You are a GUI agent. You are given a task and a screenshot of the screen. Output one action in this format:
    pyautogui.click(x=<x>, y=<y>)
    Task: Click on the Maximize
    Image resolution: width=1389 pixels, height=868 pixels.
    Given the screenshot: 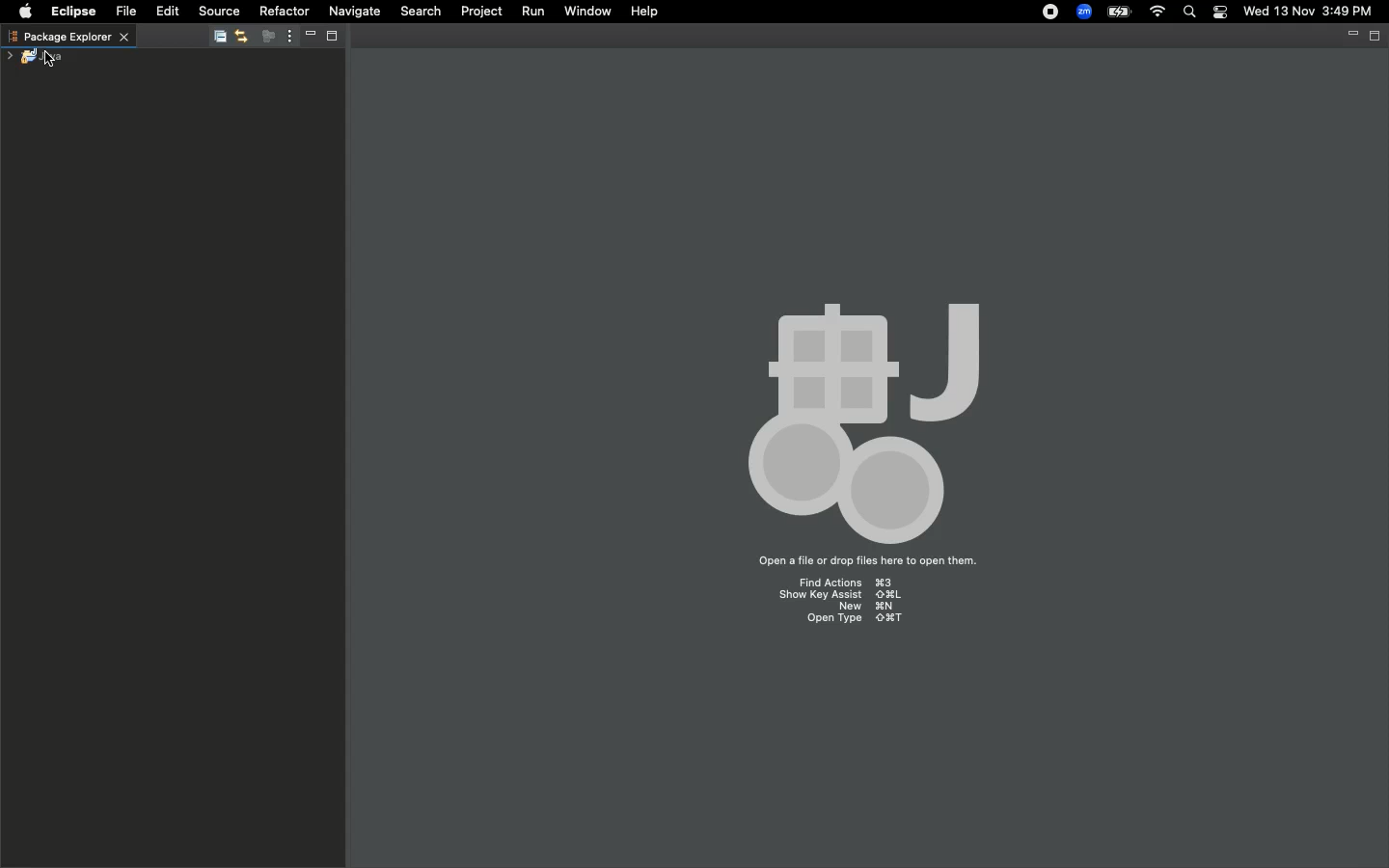 What is the action you would take?
    pyautogui.click(x=1376, y=37)
    